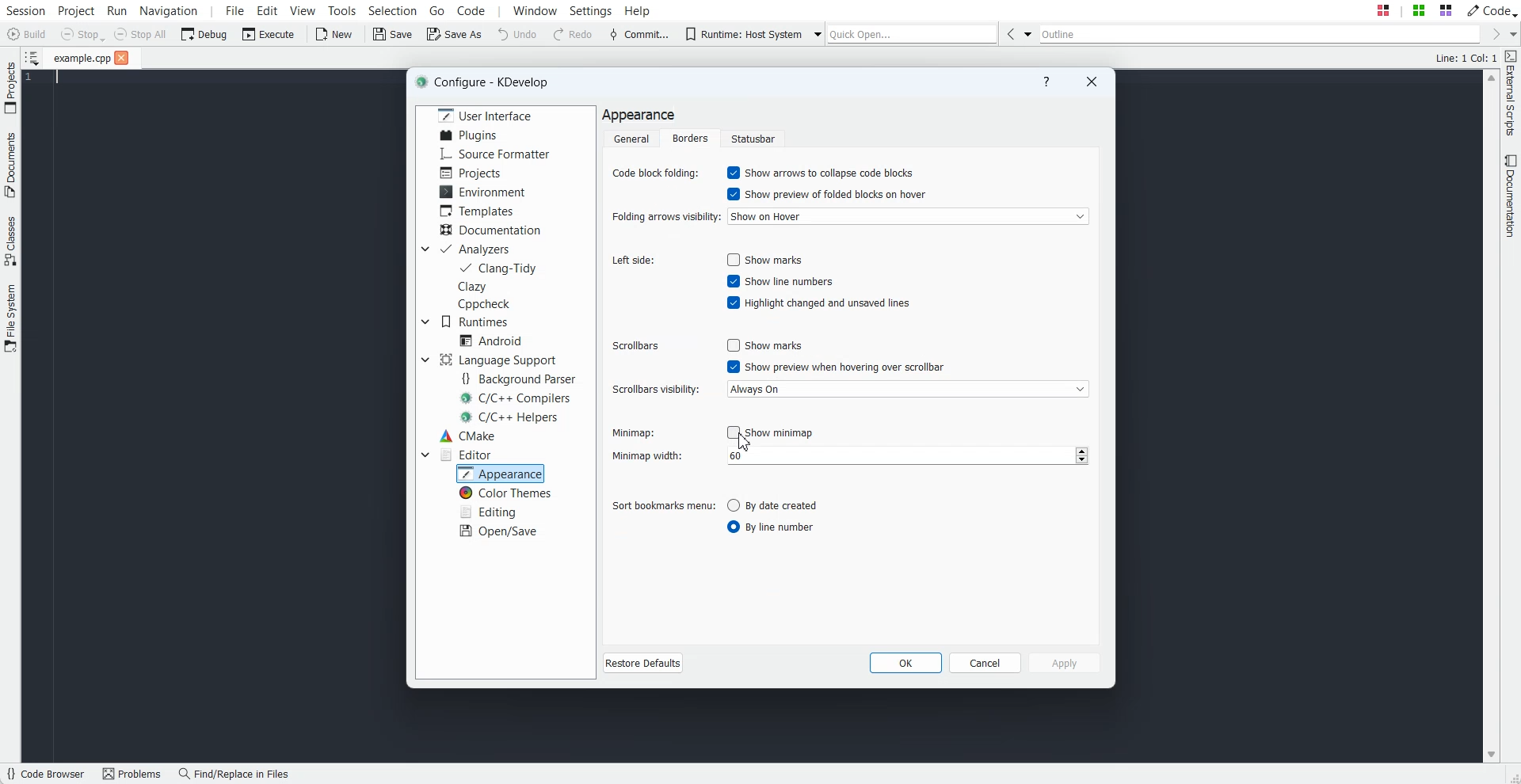  Describe the element at coordinates (491, 511) in the screenshot. I see `Editing` at that location.